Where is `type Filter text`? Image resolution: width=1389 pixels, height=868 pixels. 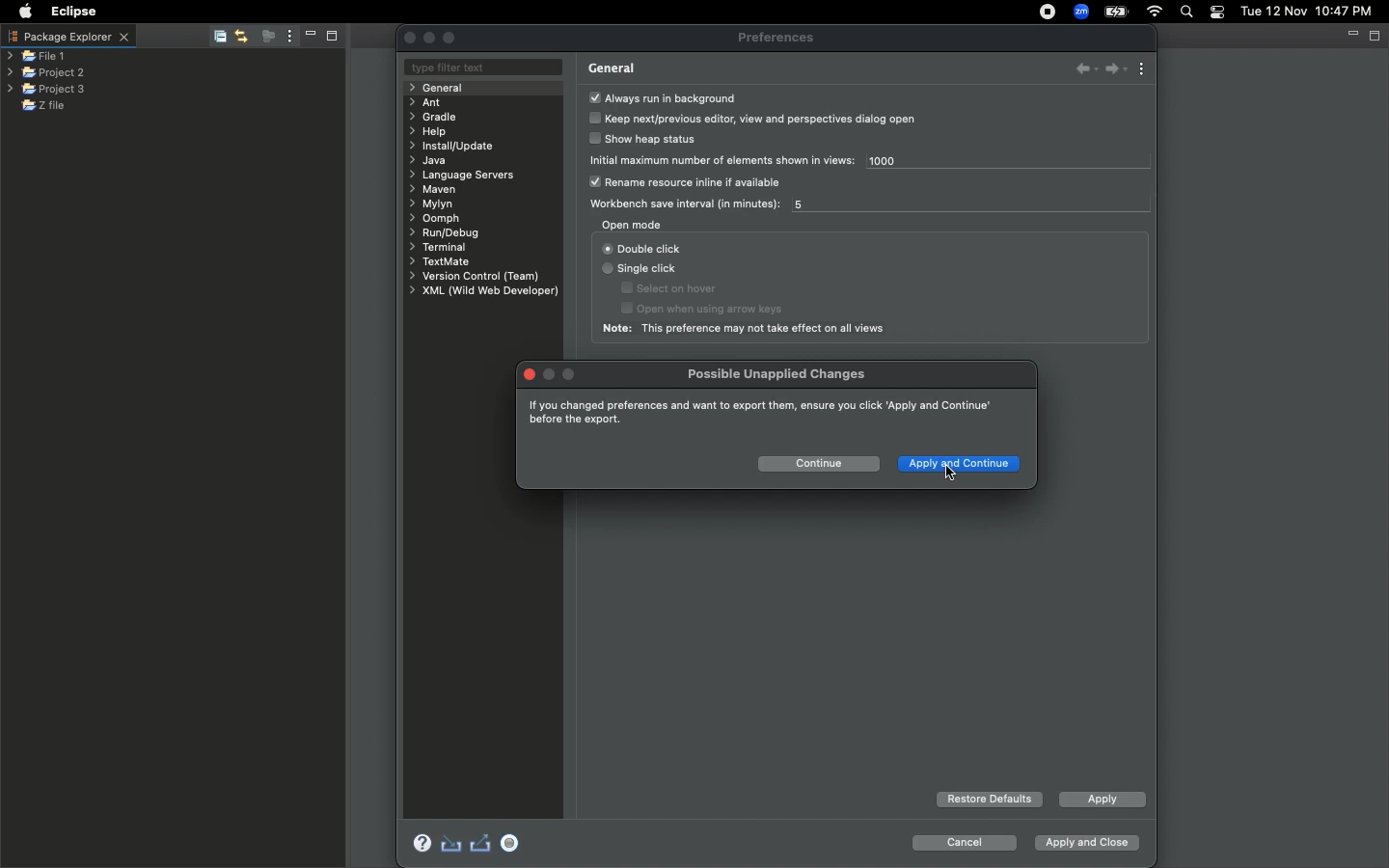
type Filter text is located at coordinates (478, 68).